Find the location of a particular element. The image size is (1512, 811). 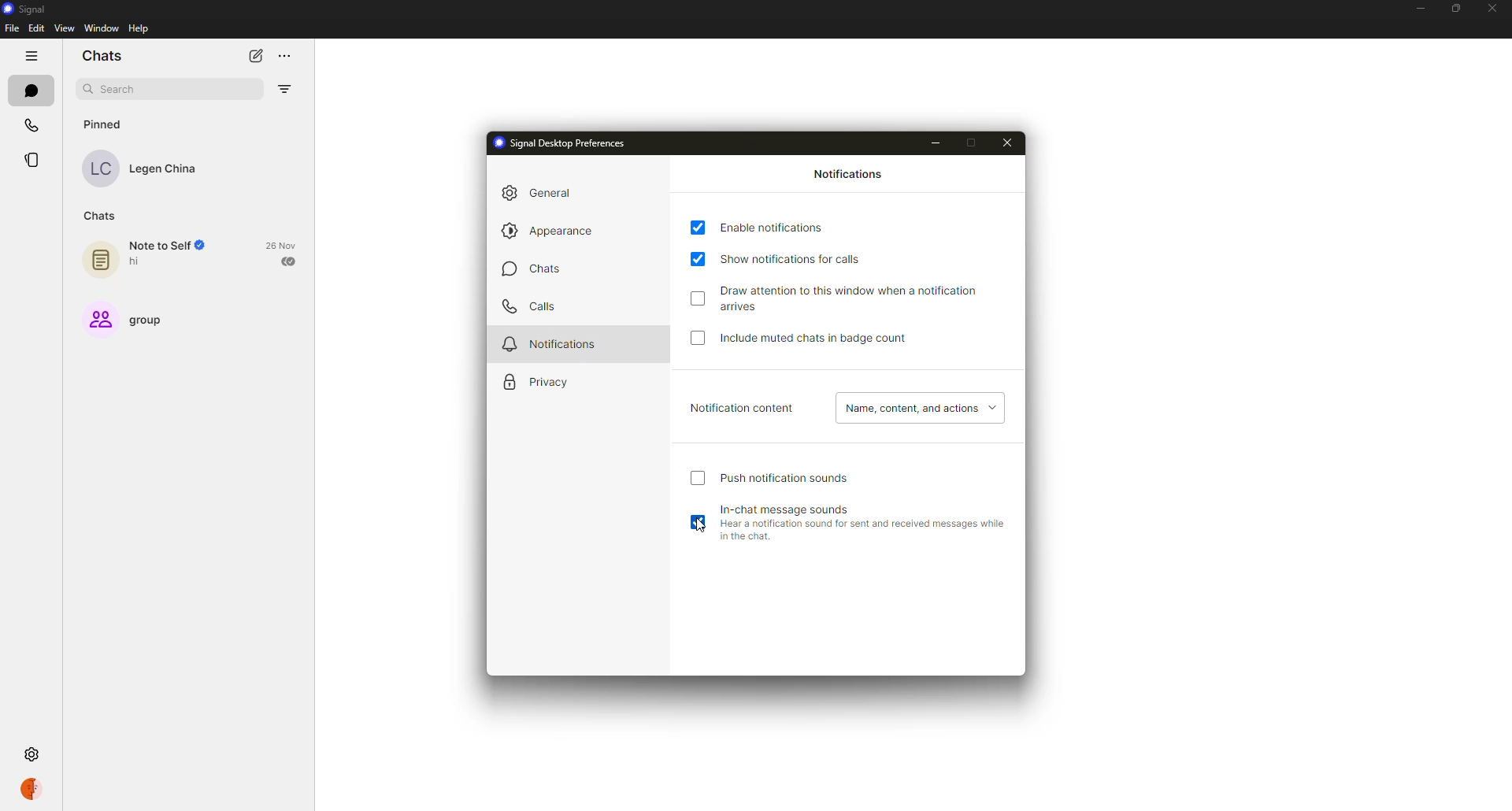

enabled is located at coordinates (696, 226).